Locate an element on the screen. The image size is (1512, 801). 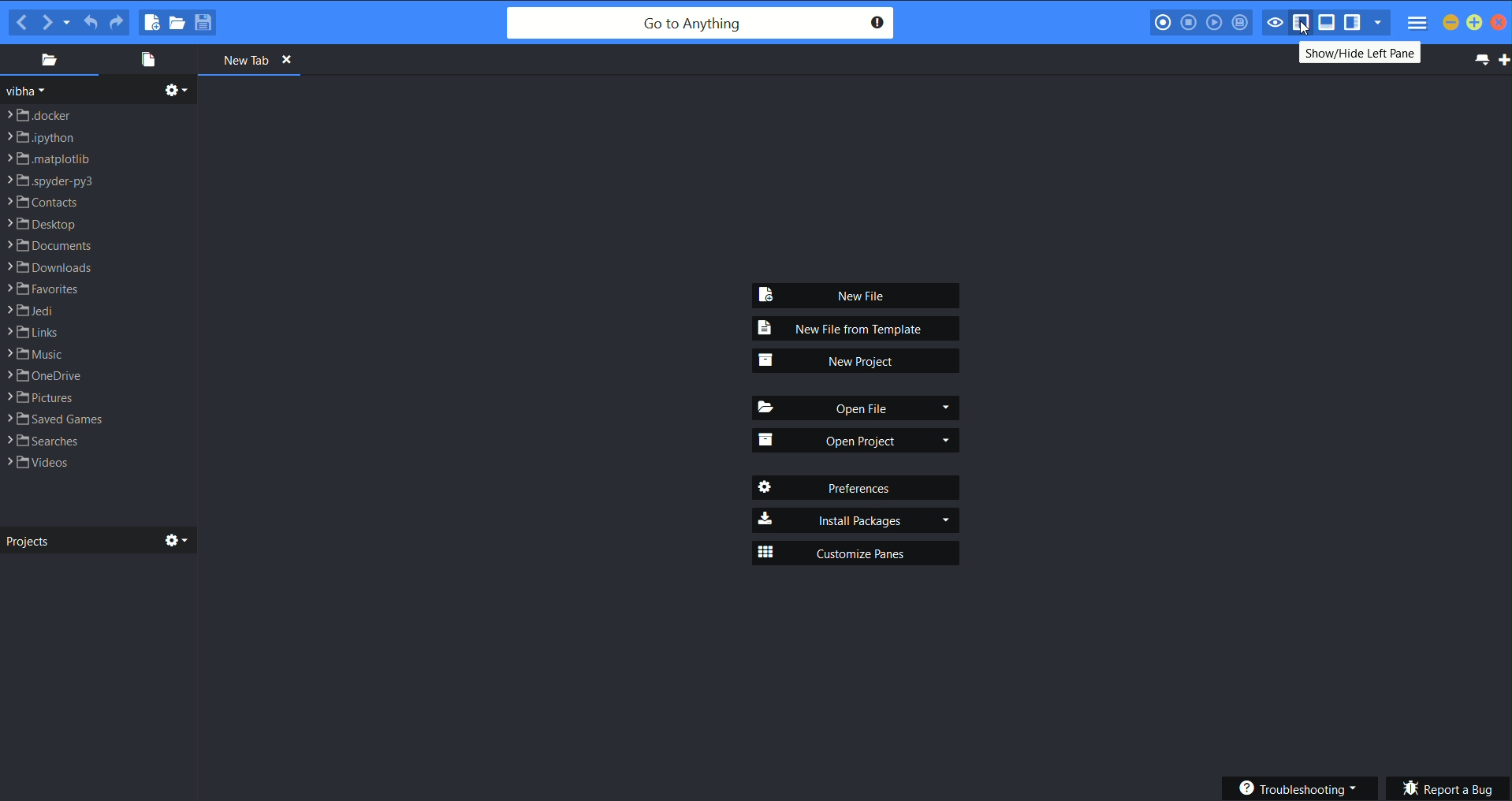
save is located at coordinates (207, 22).